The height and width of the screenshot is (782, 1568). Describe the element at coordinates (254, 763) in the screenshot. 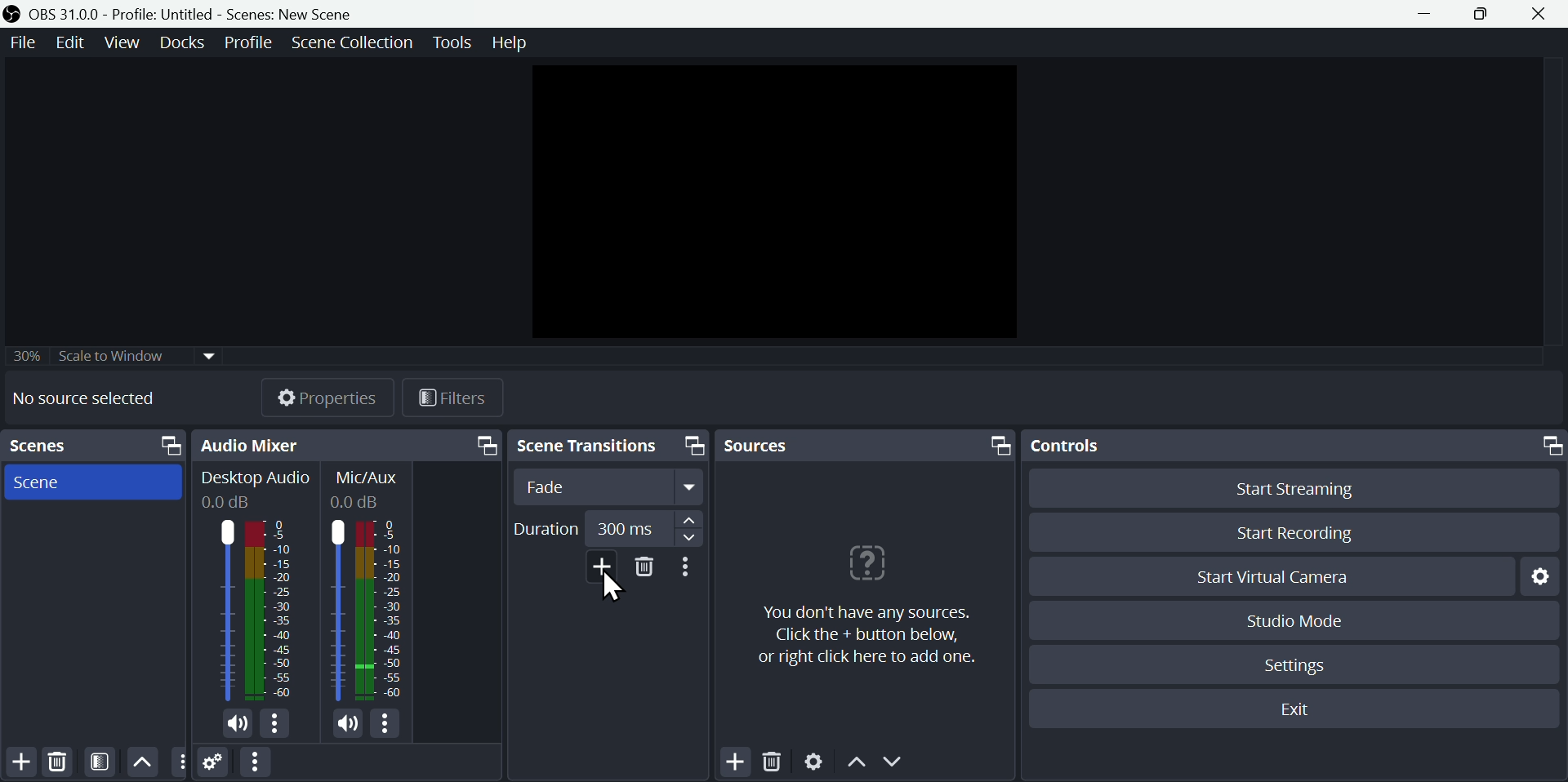

I see `More options` at that location.